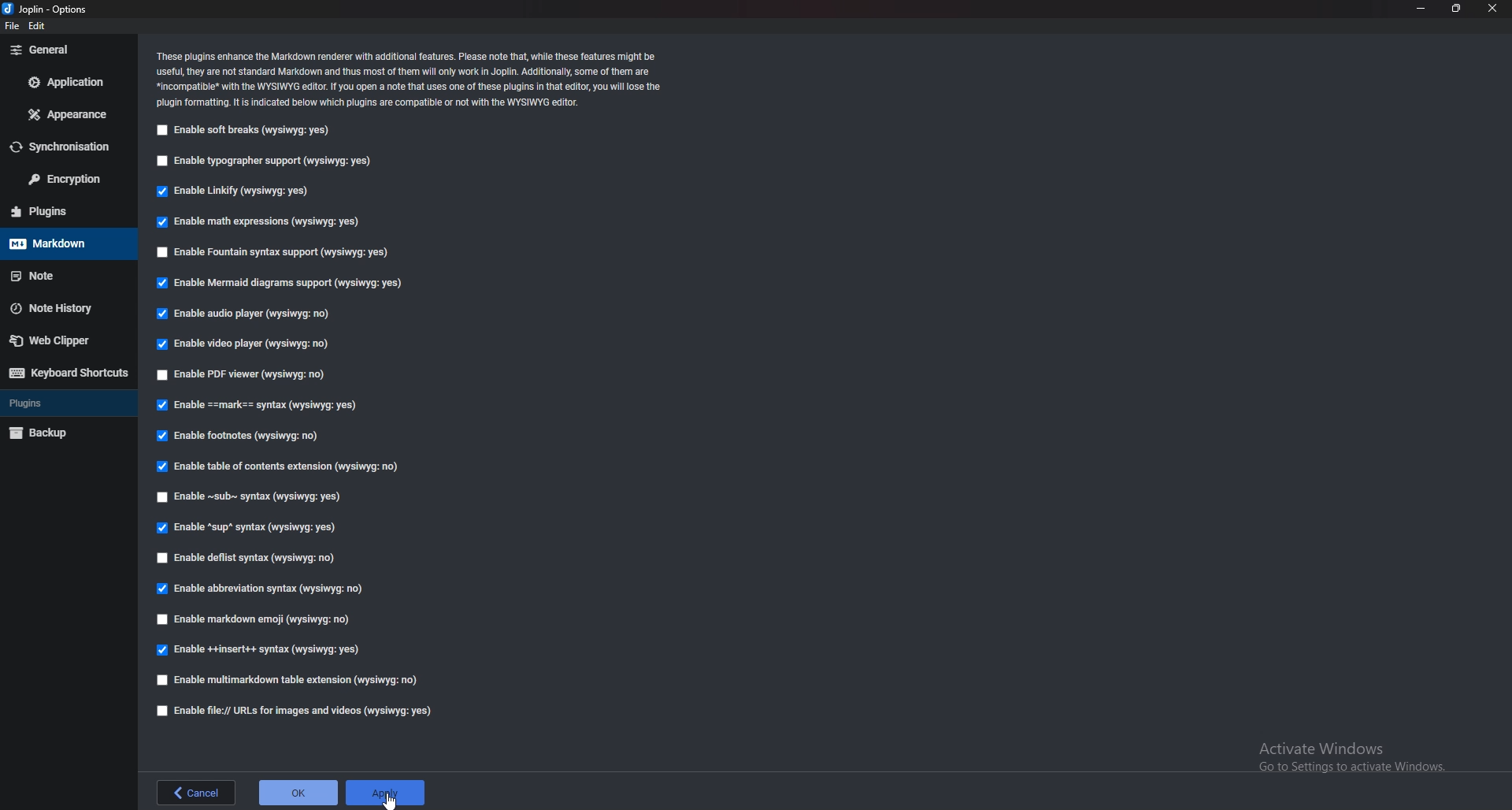 Image resolution: width=1512 pixels, height=810 pixels. Describe the element at coordinates (271, 161) in the screenshot. I see `Enable typographer support` at that location.